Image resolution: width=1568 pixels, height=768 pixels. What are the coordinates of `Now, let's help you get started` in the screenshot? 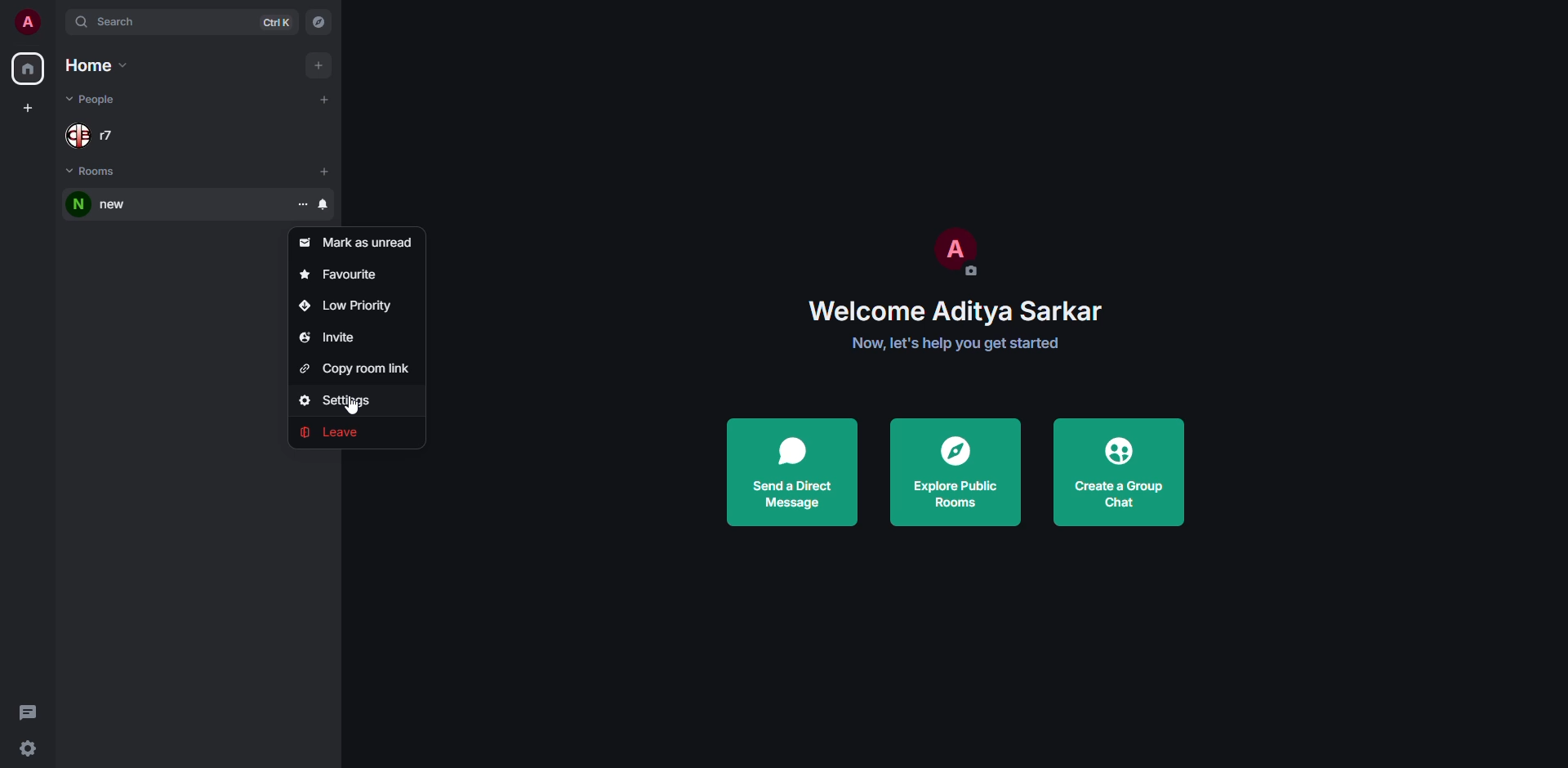 It's located at (954, 346).